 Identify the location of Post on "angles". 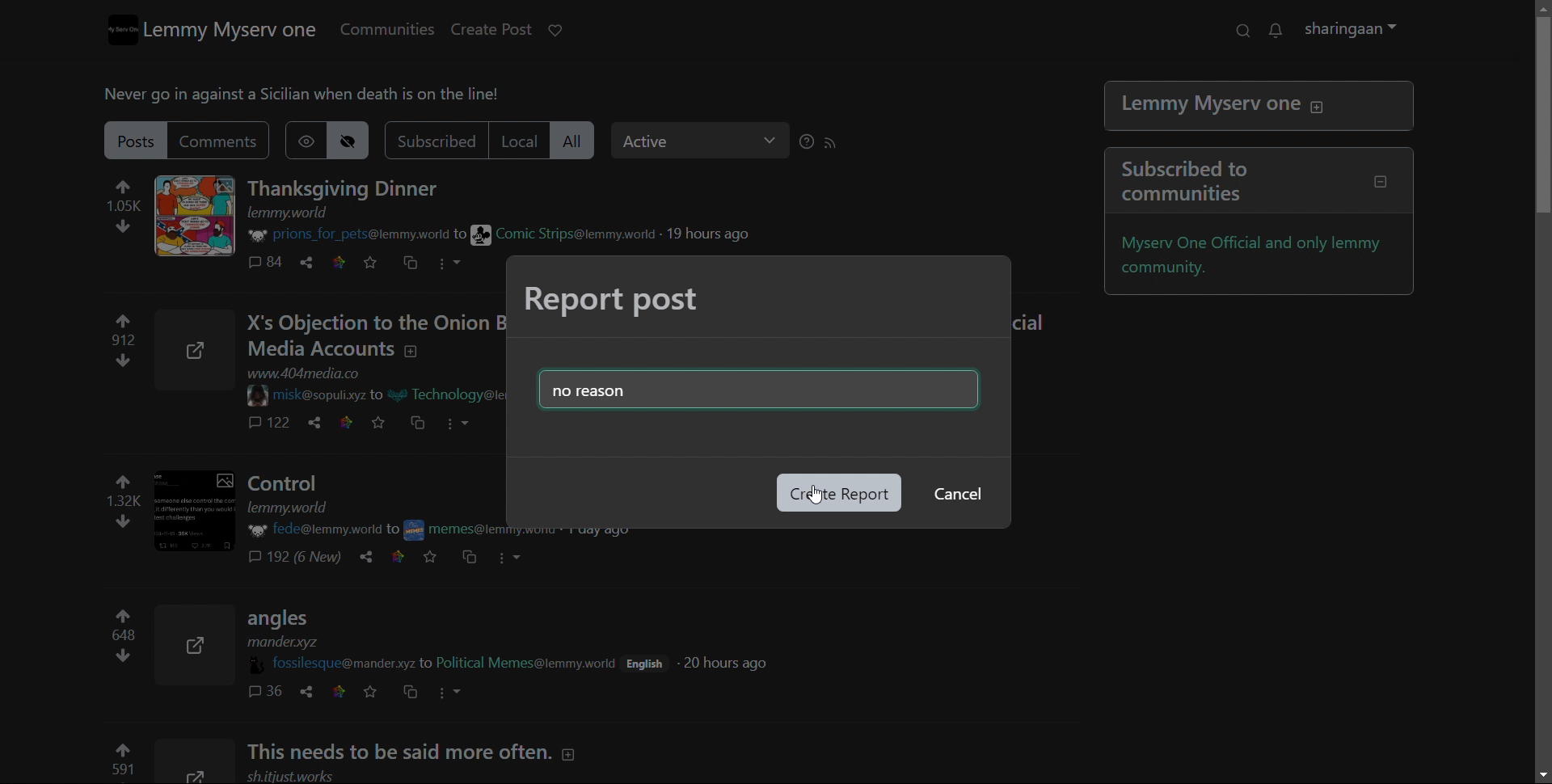
(436, 630).